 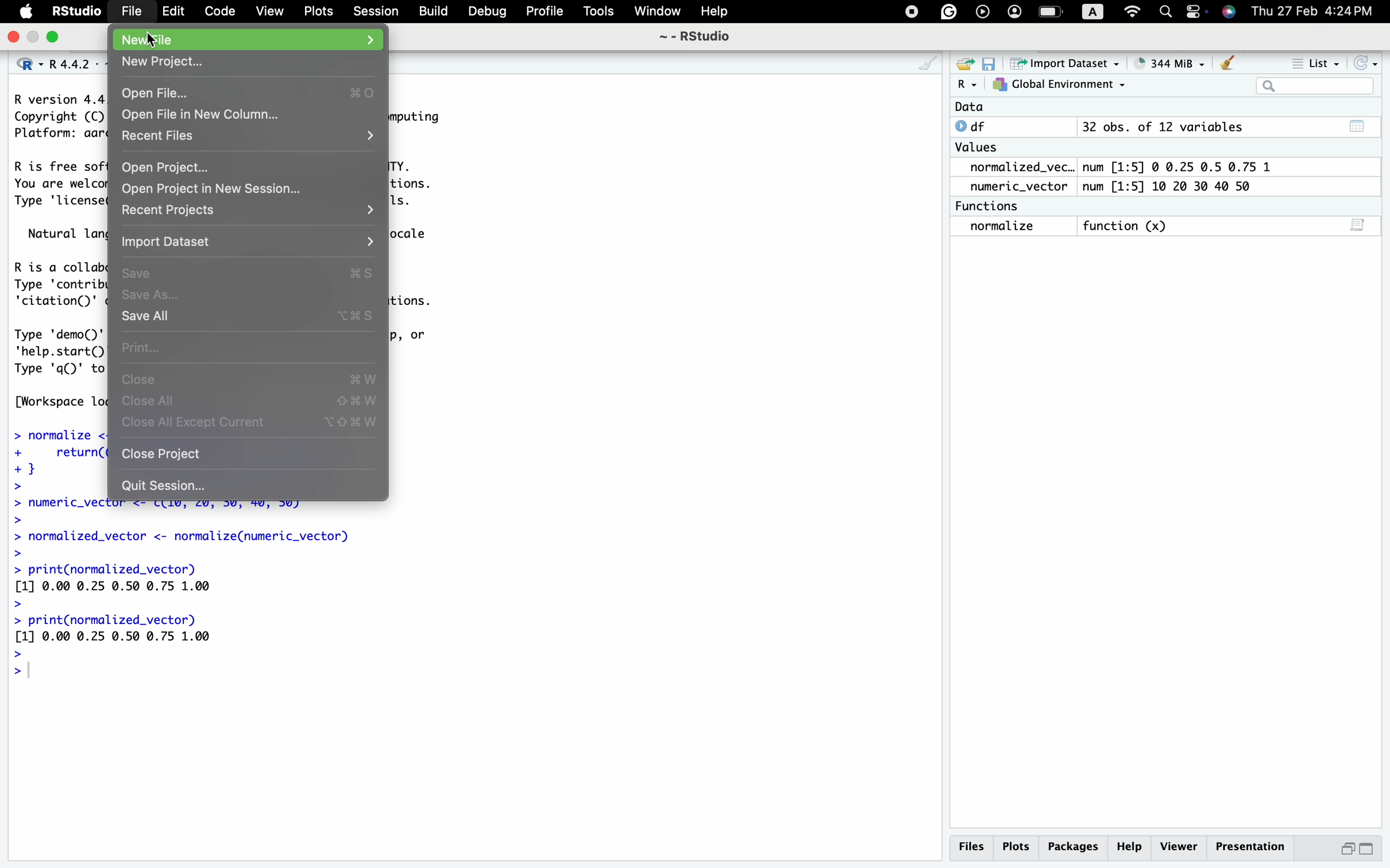 What do you see at coordinates (174, 13) in the screenshot?
I see `Edit` at bounding box center [174, 13].